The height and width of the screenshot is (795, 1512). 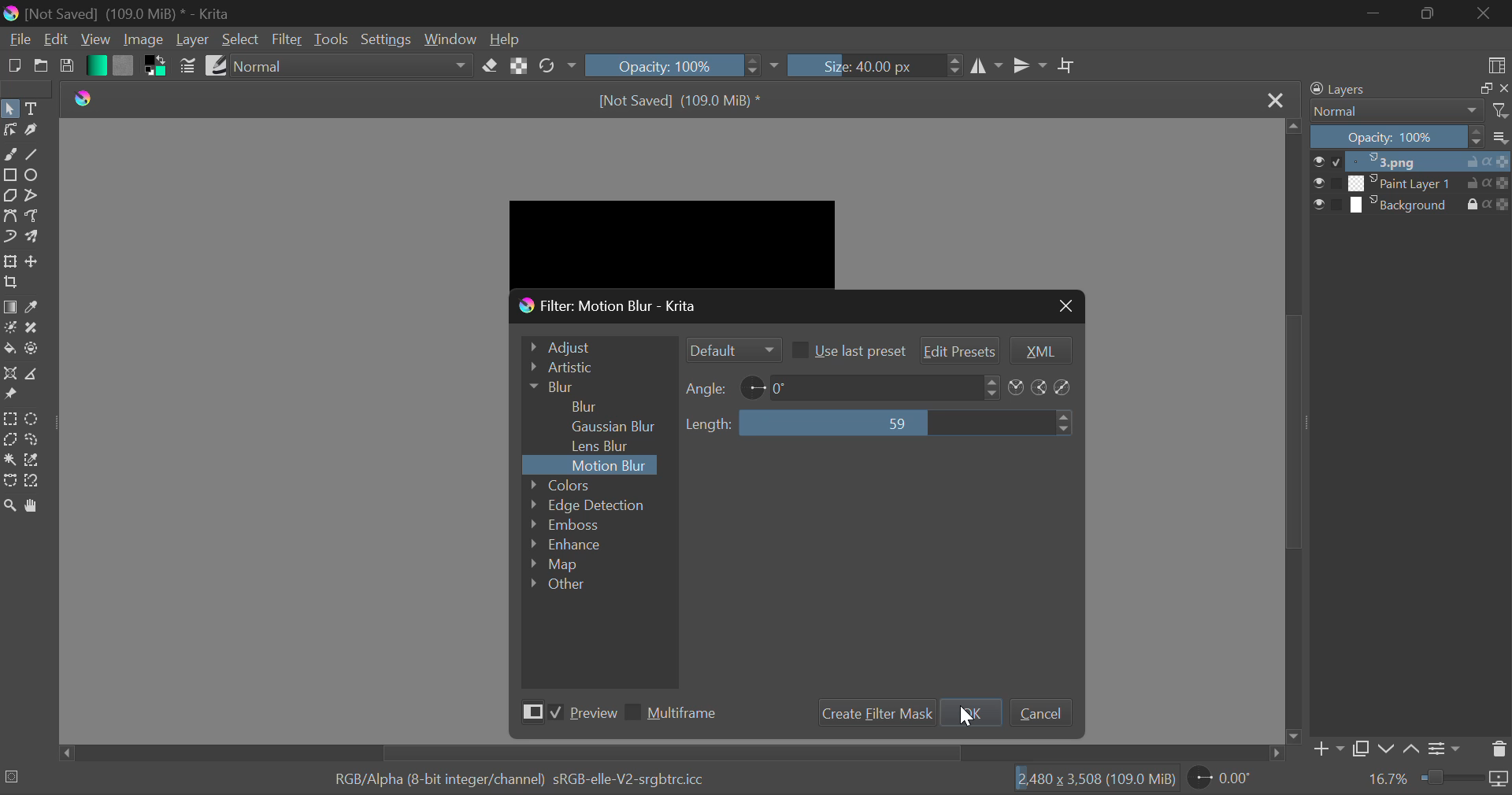 What do you see at coordinates (9, 196) in the screenshot?
I see `Polygons` at bounding box center [9, 196].